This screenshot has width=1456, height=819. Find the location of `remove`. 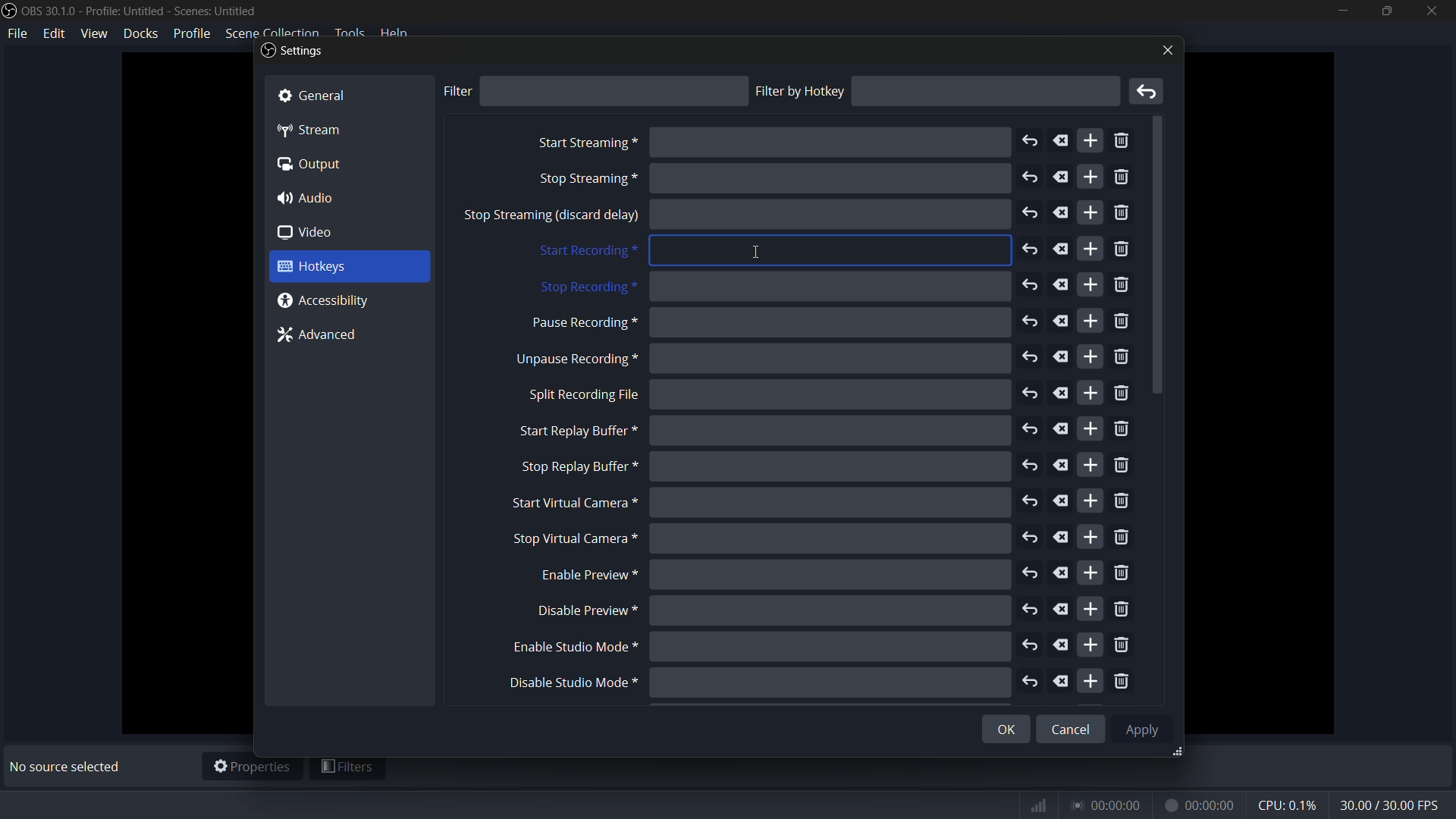

remove is located at coordinates (1123, 214).